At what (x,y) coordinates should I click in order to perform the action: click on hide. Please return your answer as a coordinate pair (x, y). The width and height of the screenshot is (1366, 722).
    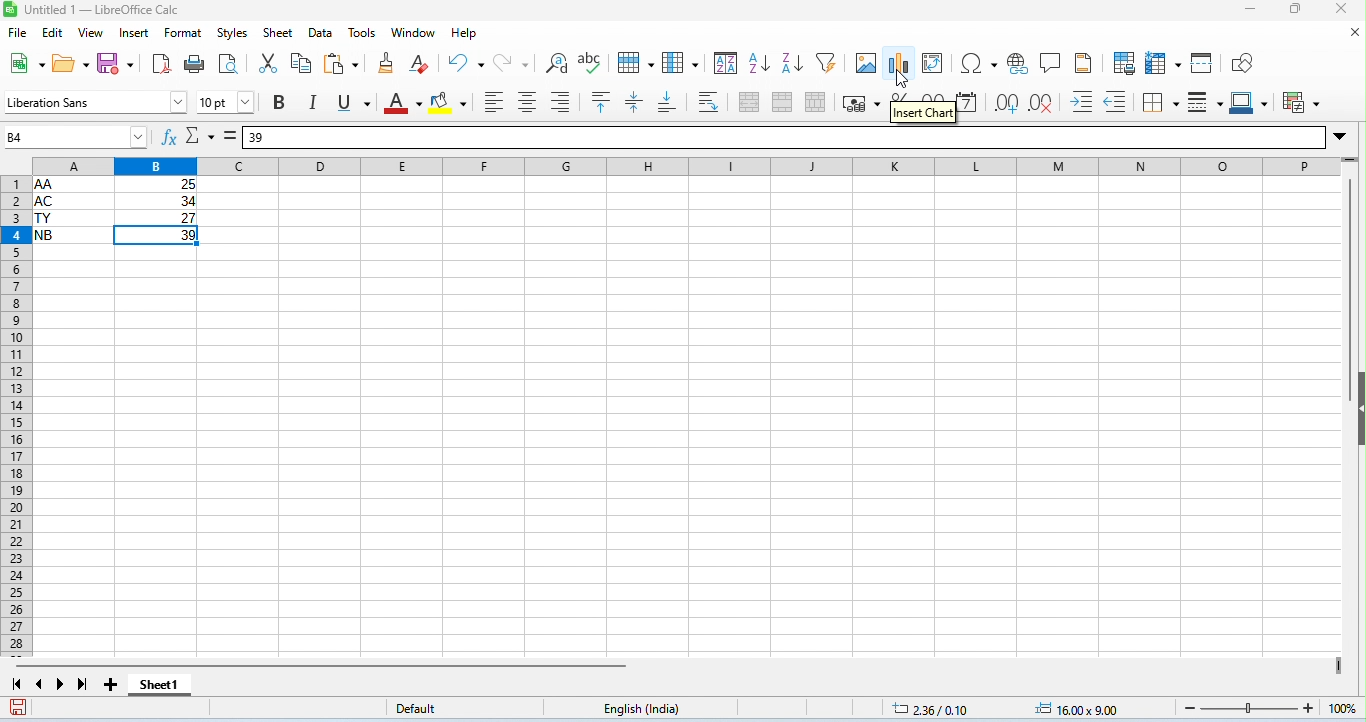
    Looking at the image, I should click on (1357, 410).